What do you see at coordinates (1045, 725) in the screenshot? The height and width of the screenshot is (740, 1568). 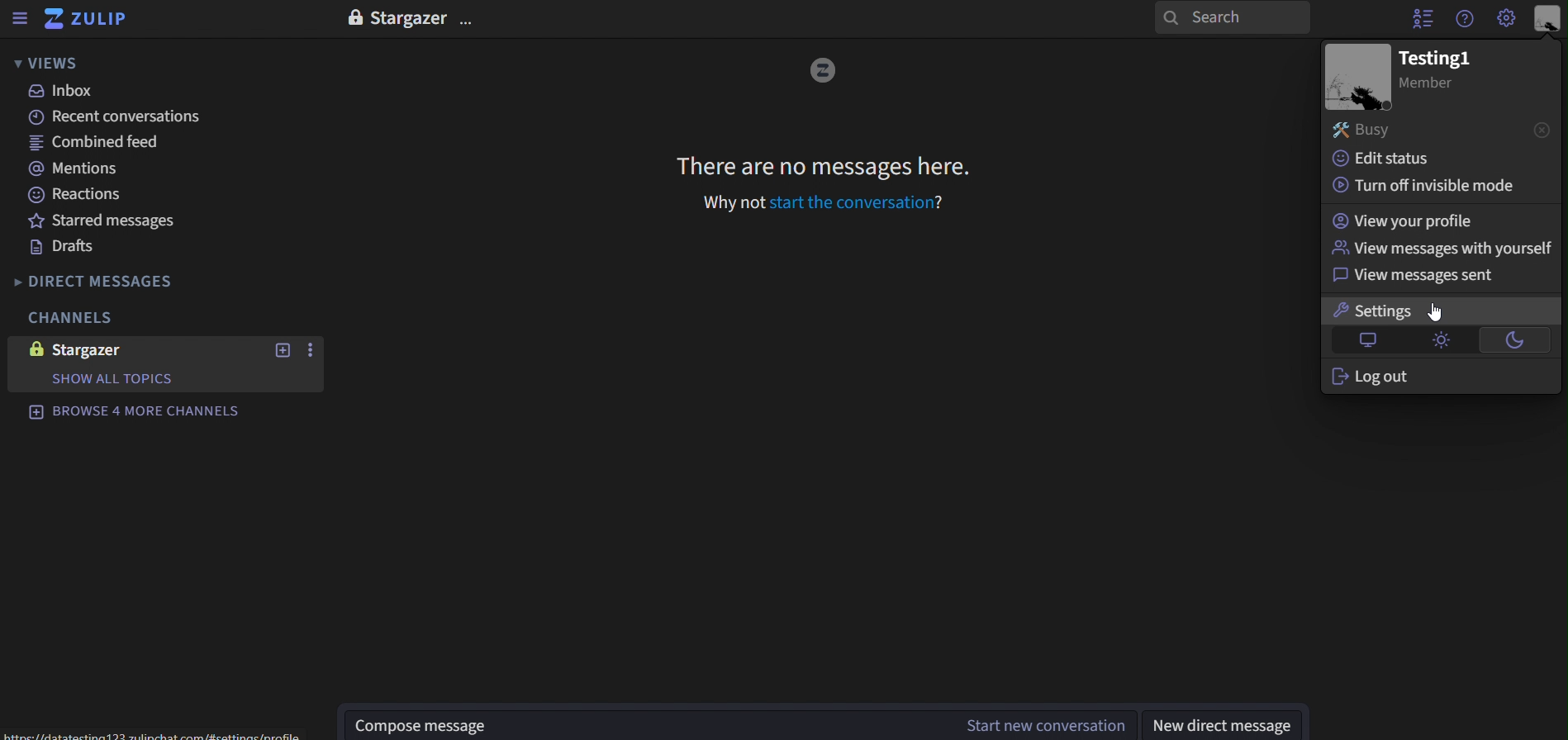 I see `start new conversation` at bounding box center [1045, 725].